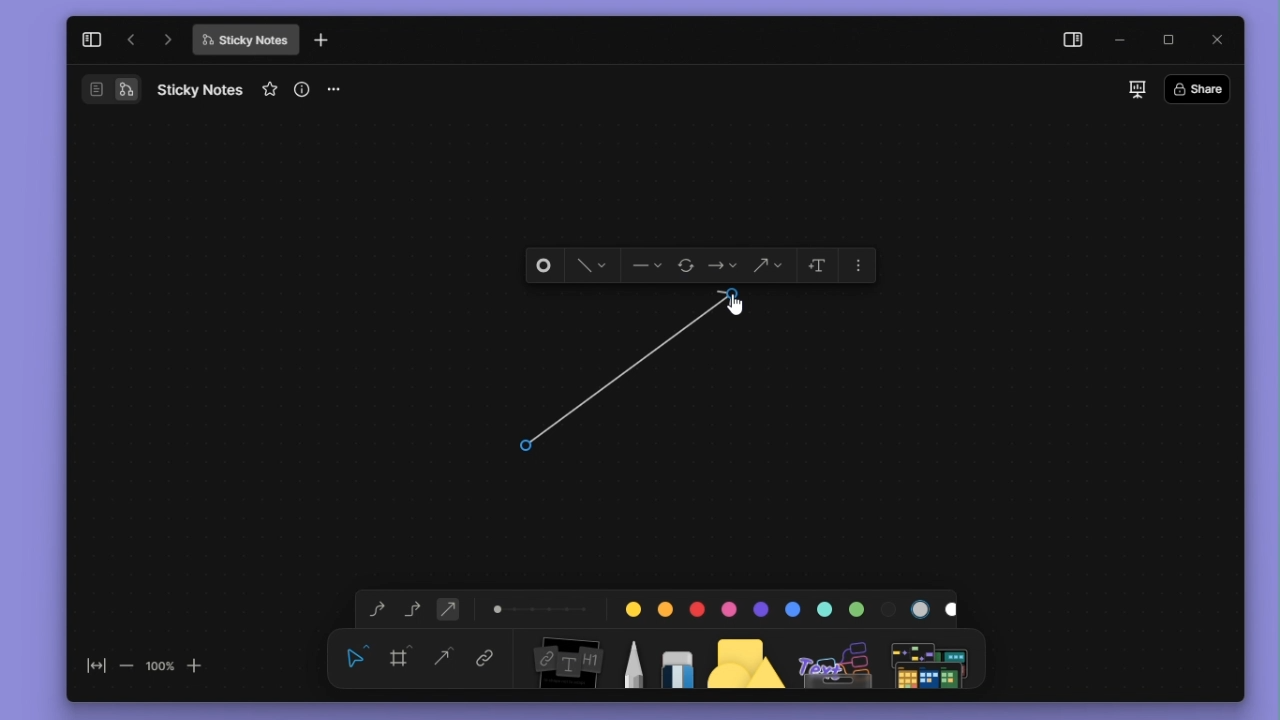 This screenshot has width=1280, height=720. What do you see at coordinates (530, 444) in the screenshot?
I see `mouse crosshair` at bounding box center [530, 444].